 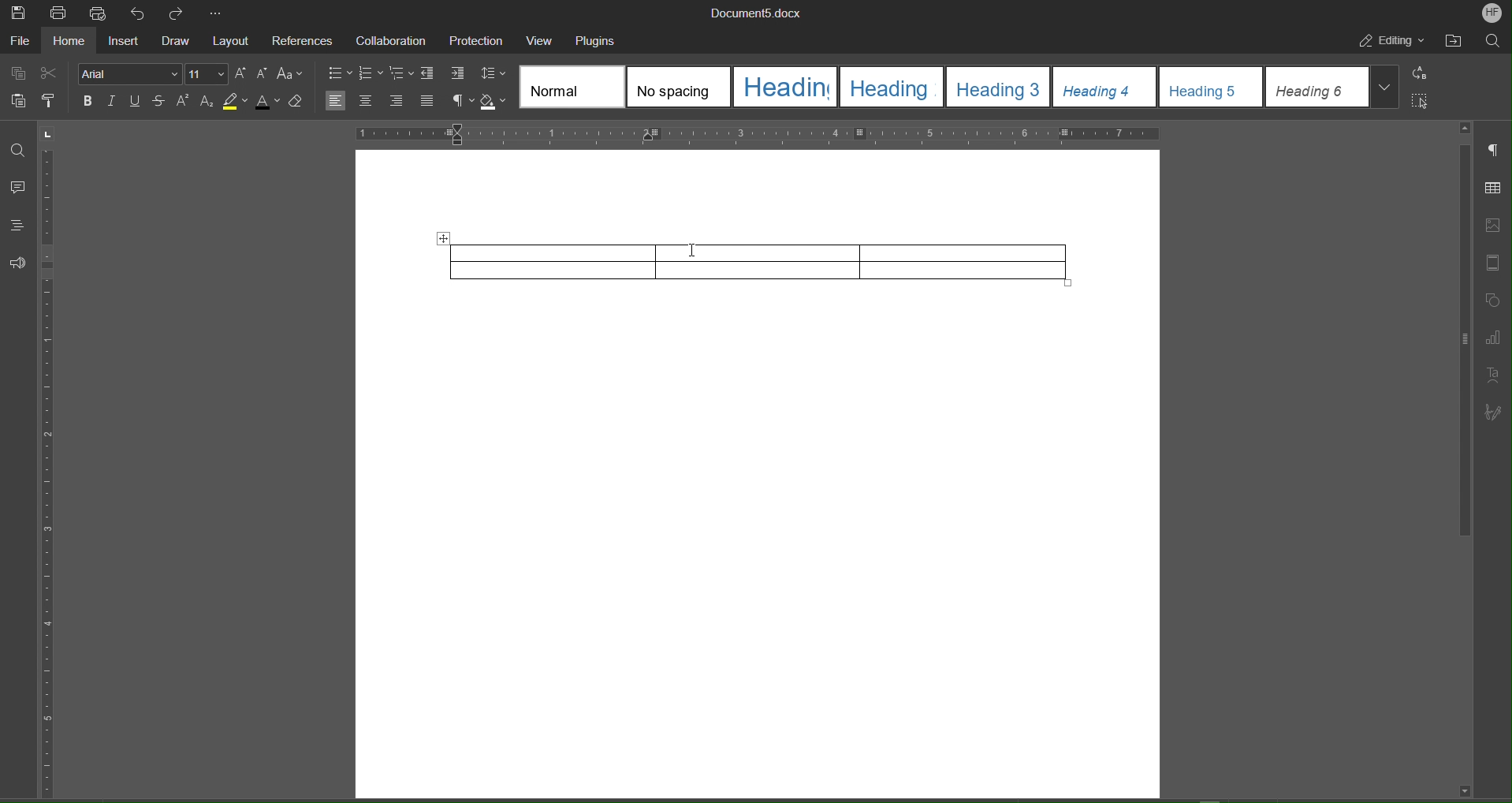 I want to click on Move table, so click(x=442, y=239).